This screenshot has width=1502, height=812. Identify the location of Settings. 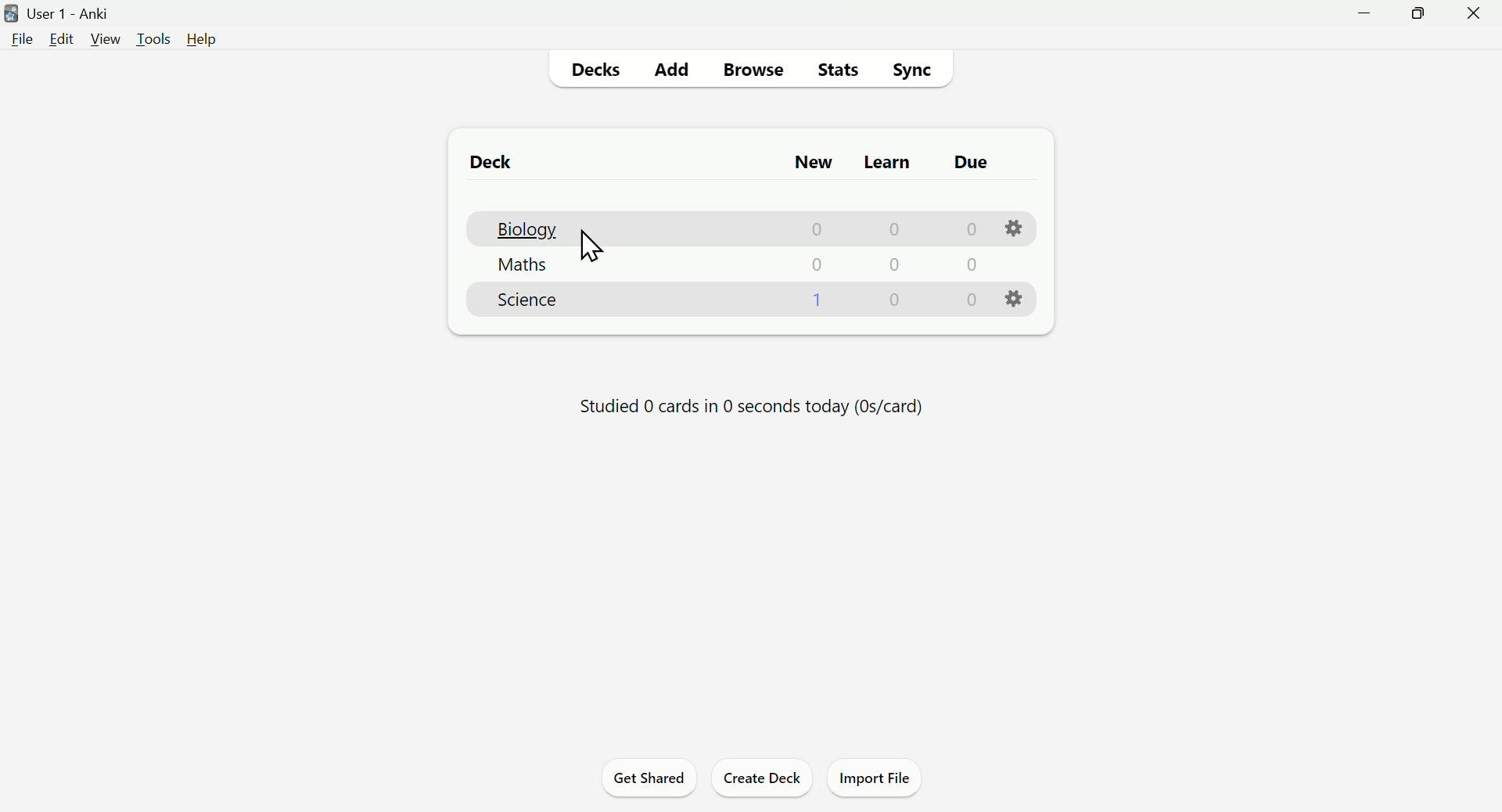
(1018, 300).